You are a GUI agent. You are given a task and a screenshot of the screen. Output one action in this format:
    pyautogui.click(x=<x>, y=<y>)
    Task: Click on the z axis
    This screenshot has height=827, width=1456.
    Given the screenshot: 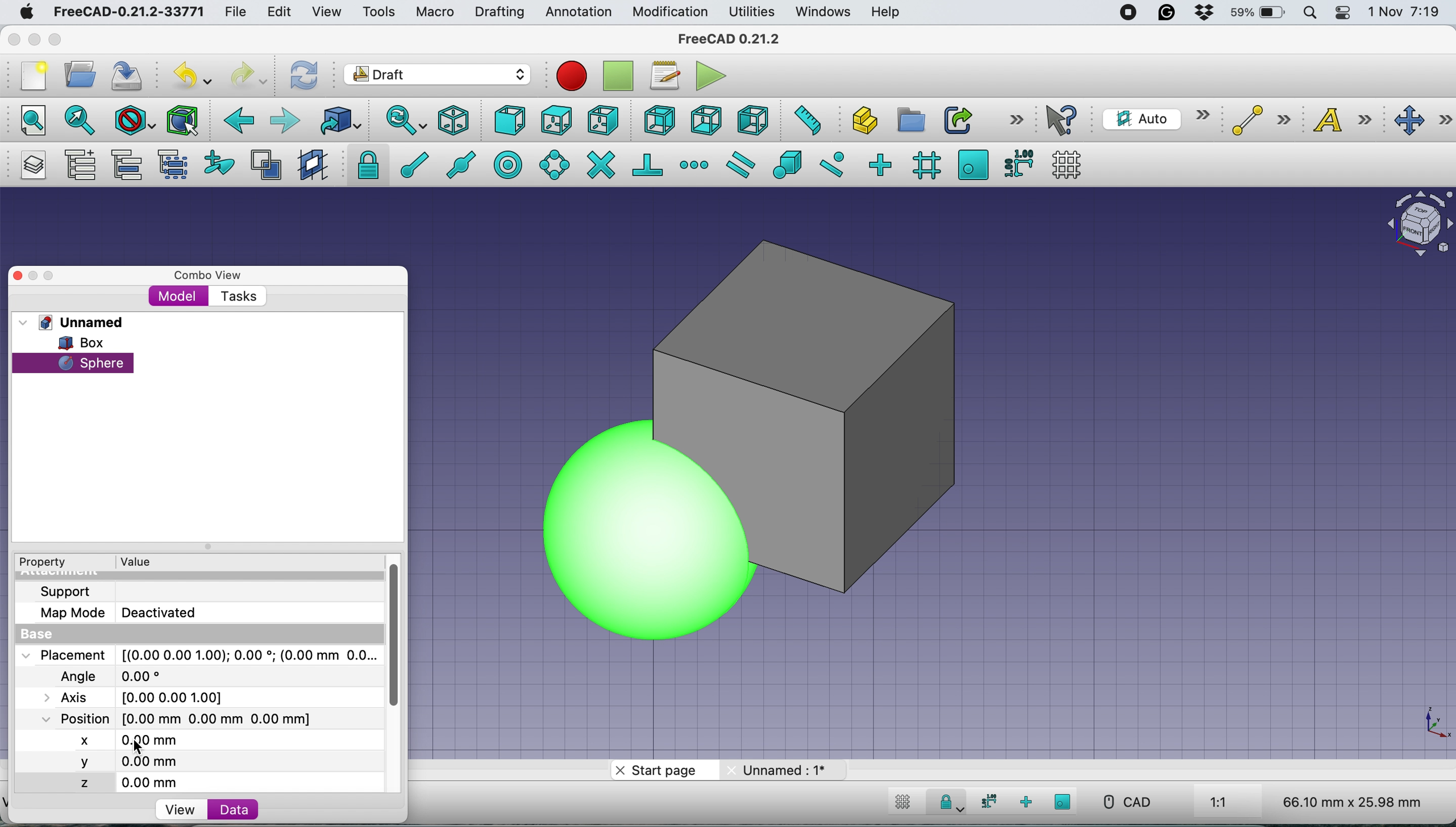 What is the action you would take?
    pyautogui.click(x=136, y=783)
    